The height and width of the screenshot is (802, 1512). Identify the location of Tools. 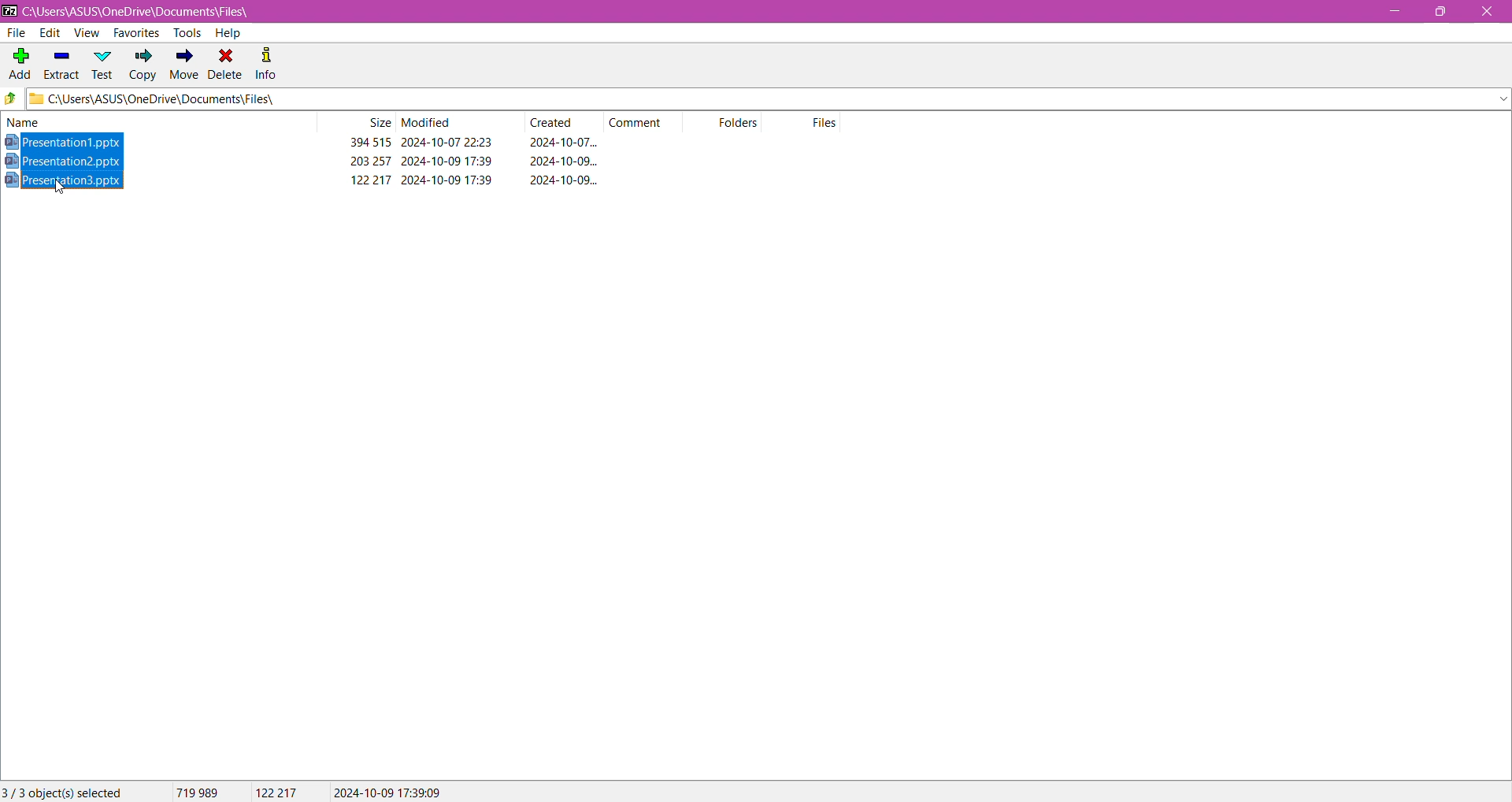
(185, 32).